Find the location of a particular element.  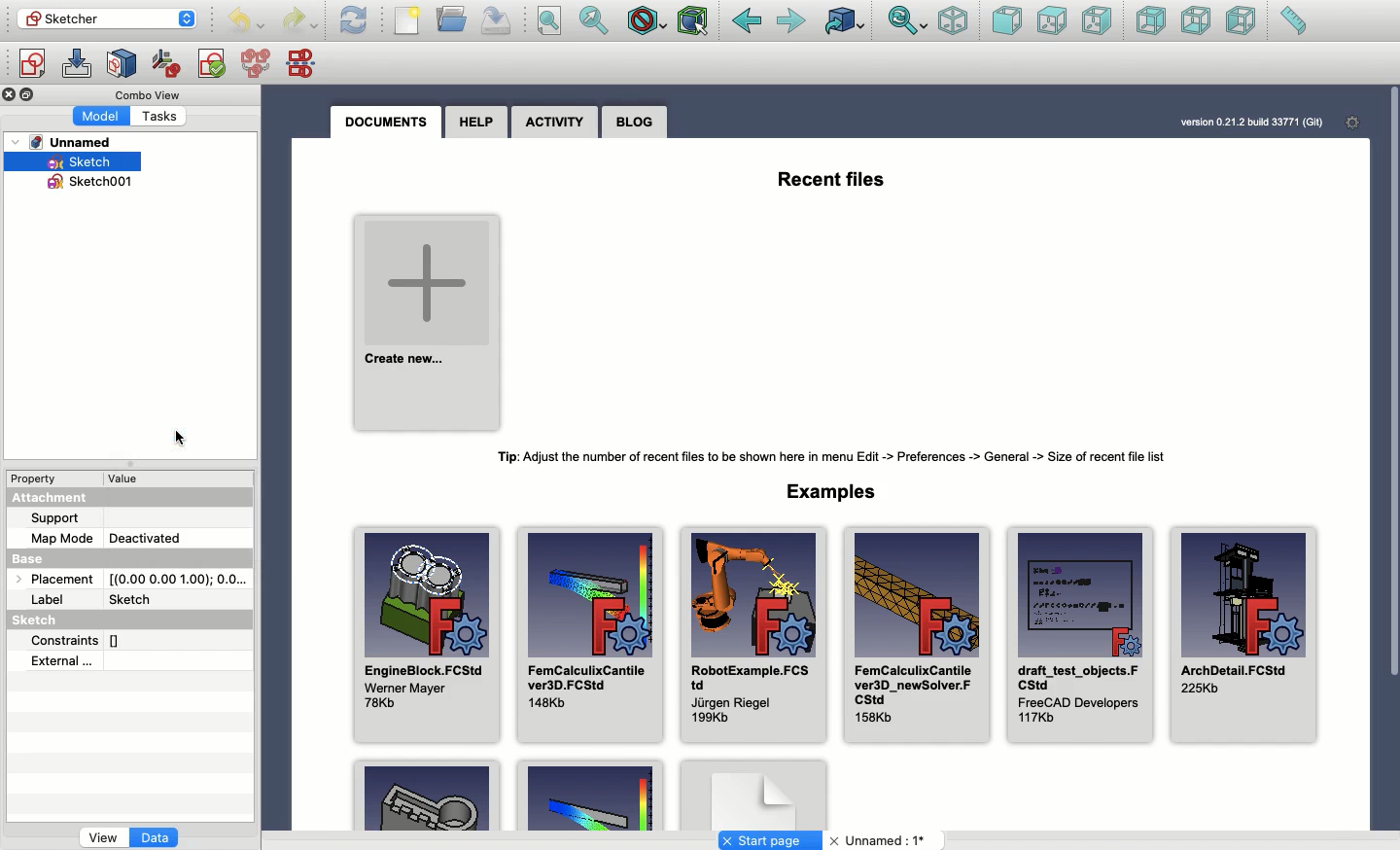

ArchDetail is located at coordinates (1244, 638).